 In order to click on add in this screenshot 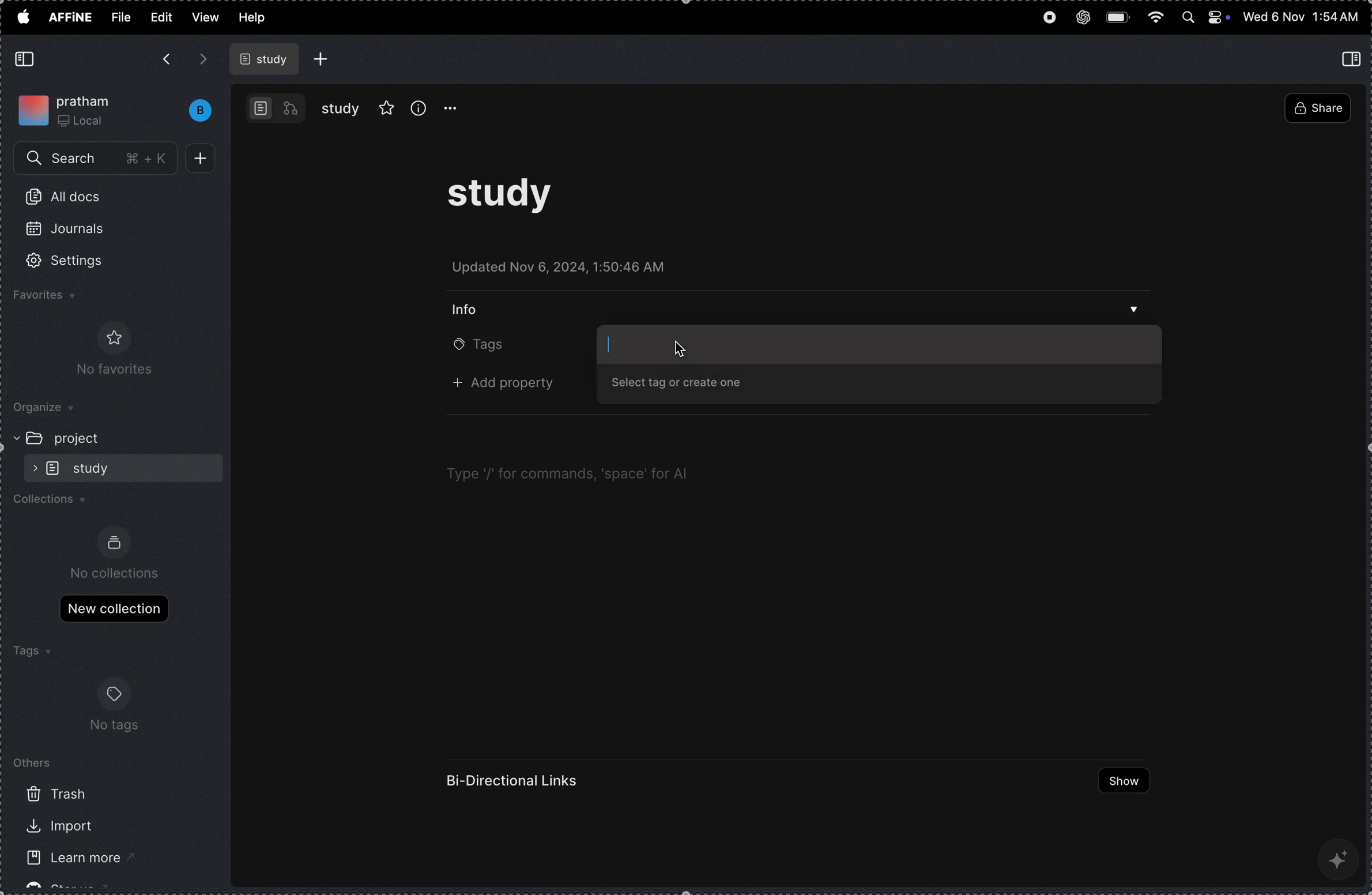, I will do `click(205, 159)`.